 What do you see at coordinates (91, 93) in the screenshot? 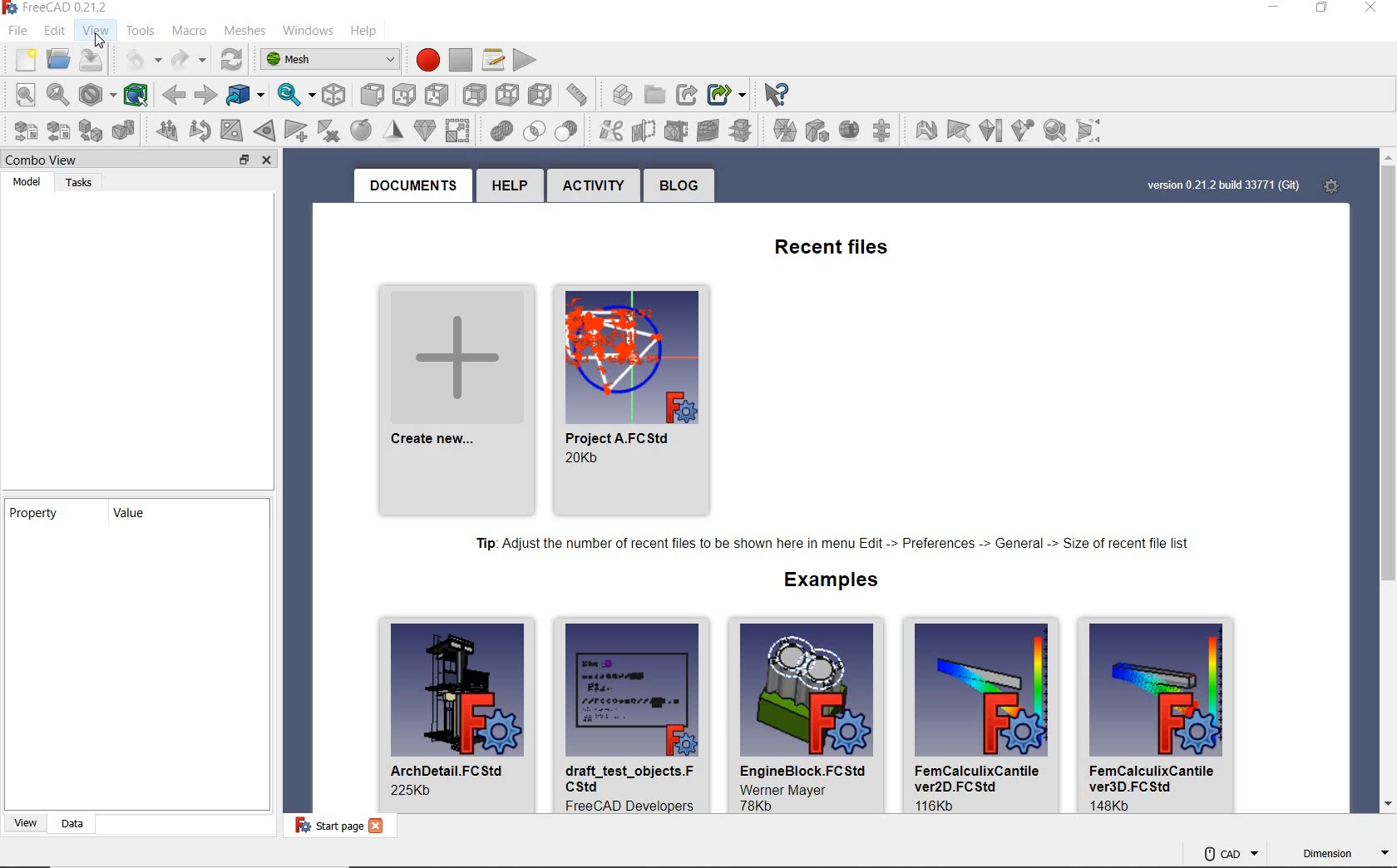
I see `draw style` at bounding box center [91, 93].